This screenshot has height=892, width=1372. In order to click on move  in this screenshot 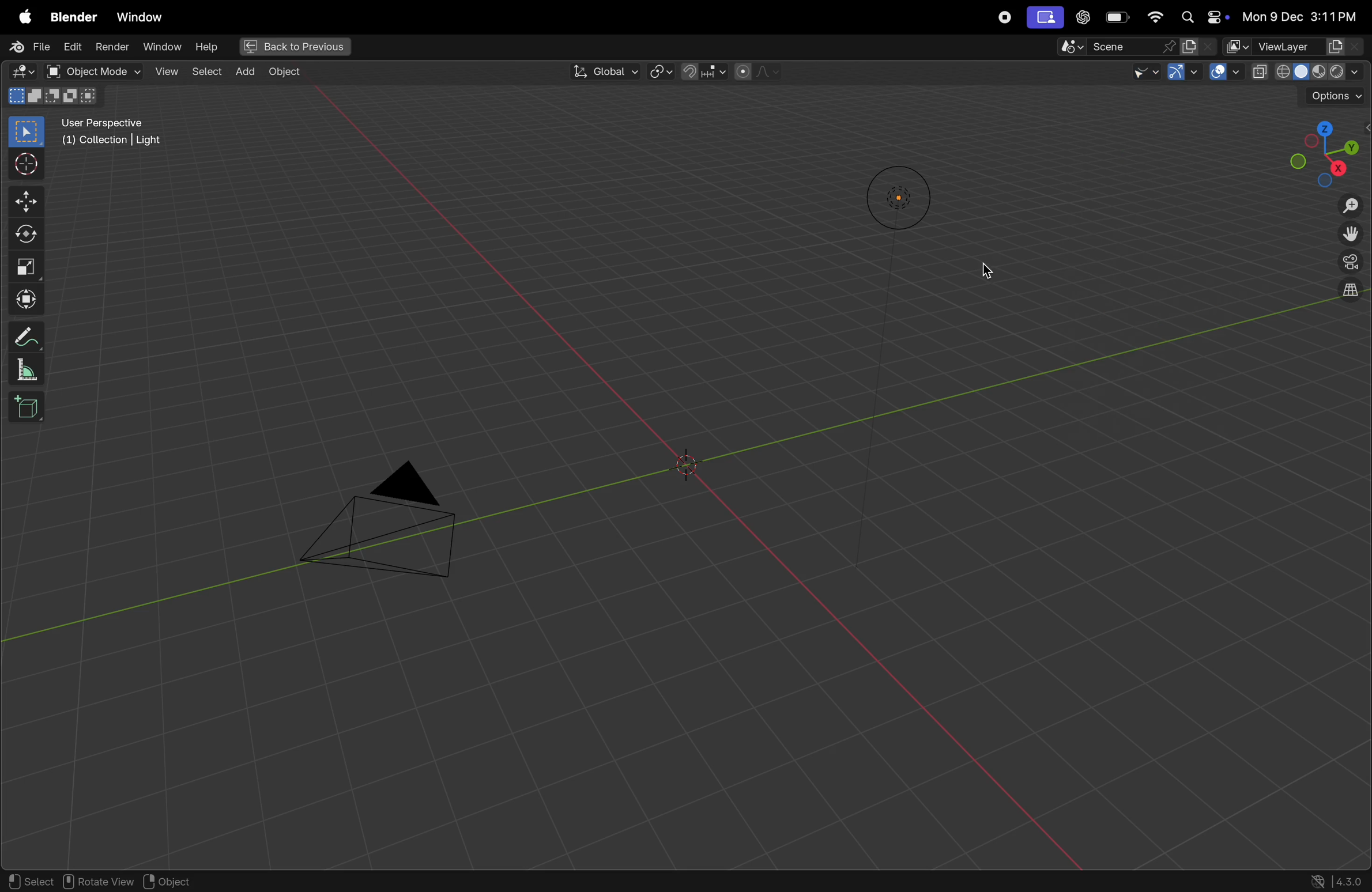, I will do `click(24, 202)`.